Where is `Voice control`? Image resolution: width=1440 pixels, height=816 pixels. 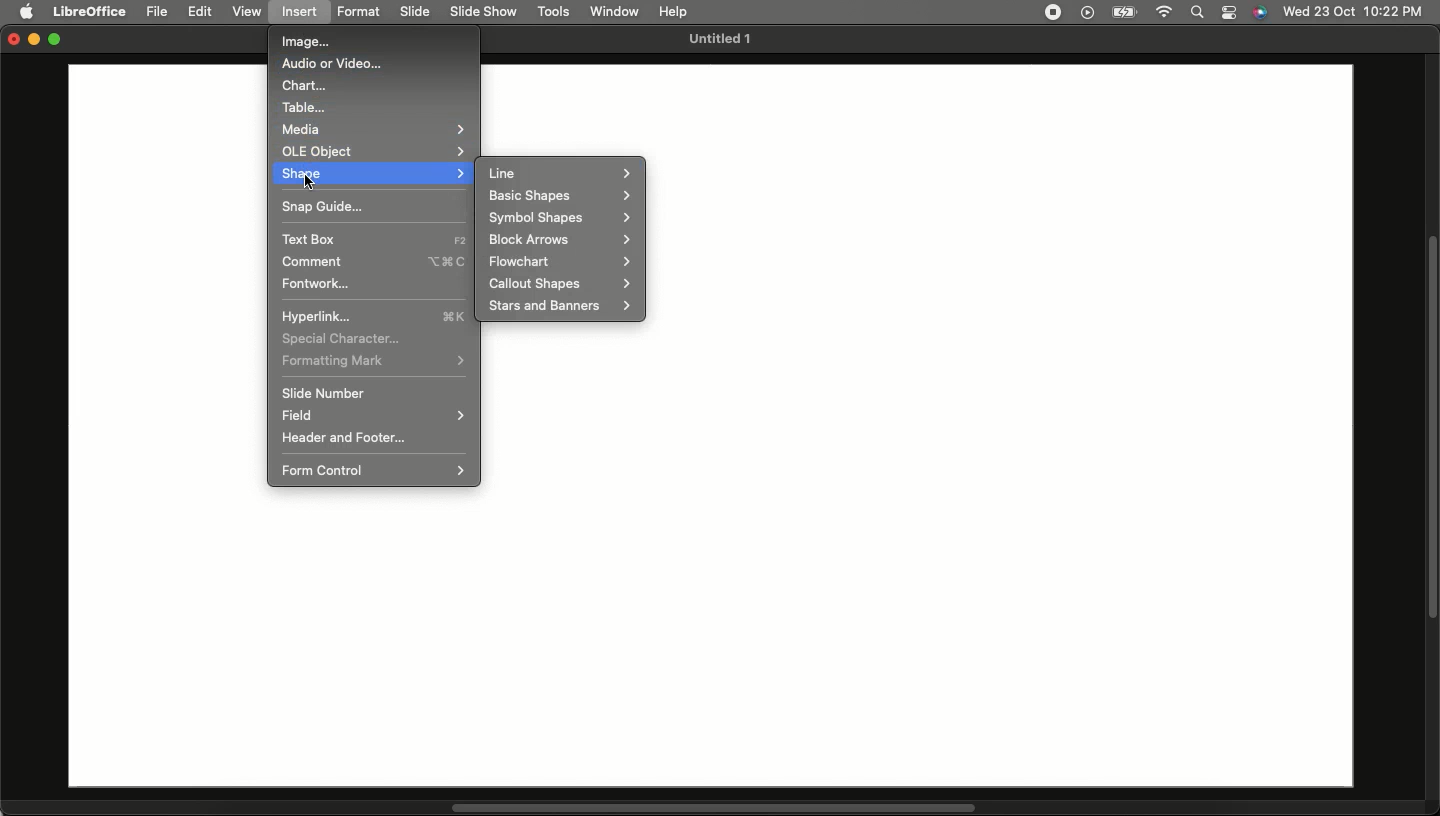 Voice control is located at coordinates (1259, 13).